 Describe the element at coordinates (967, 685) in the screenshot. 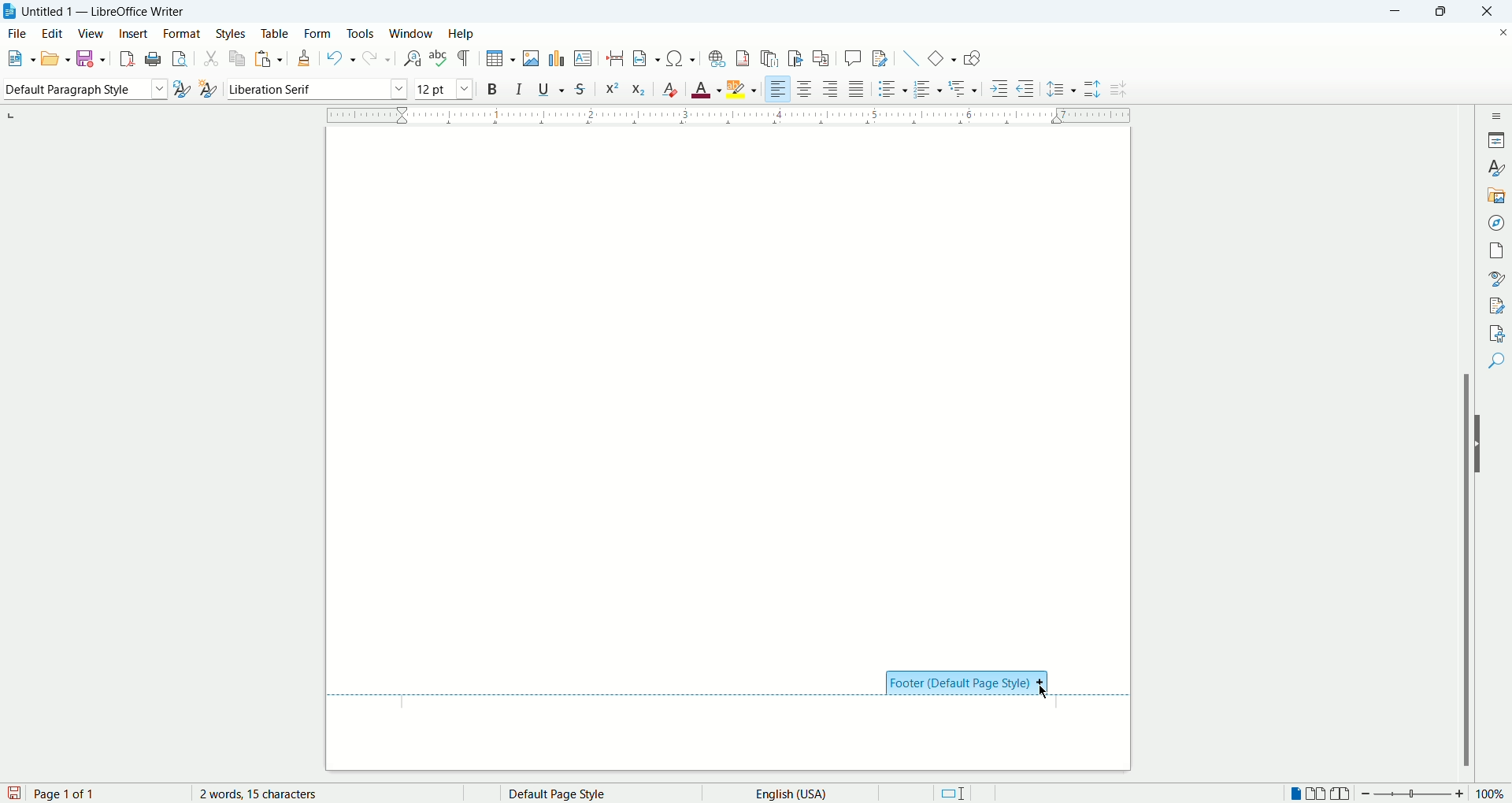

I see `footer style` at that location.